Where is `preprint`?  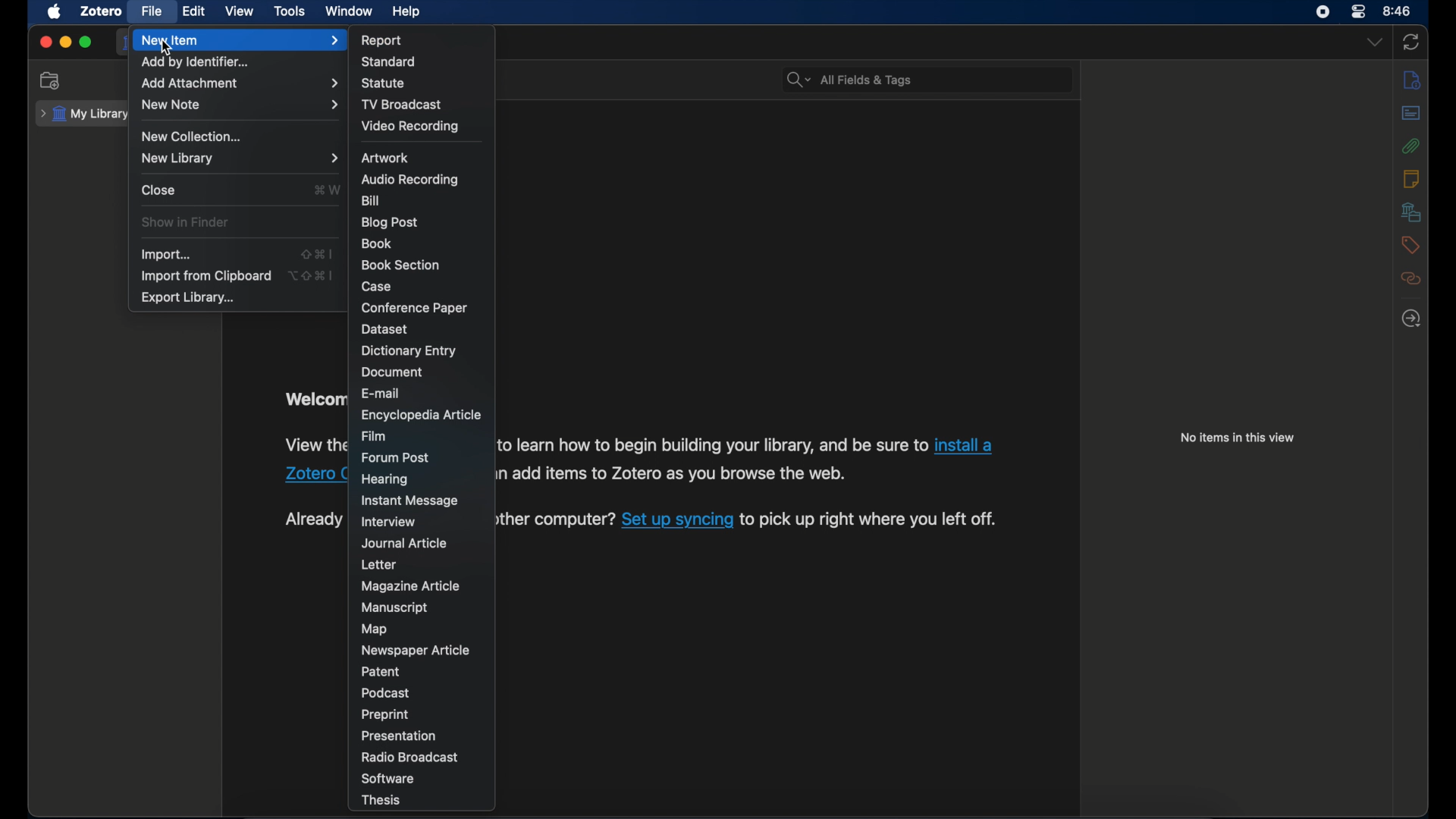 preprint is located at coordinates (384, 714).